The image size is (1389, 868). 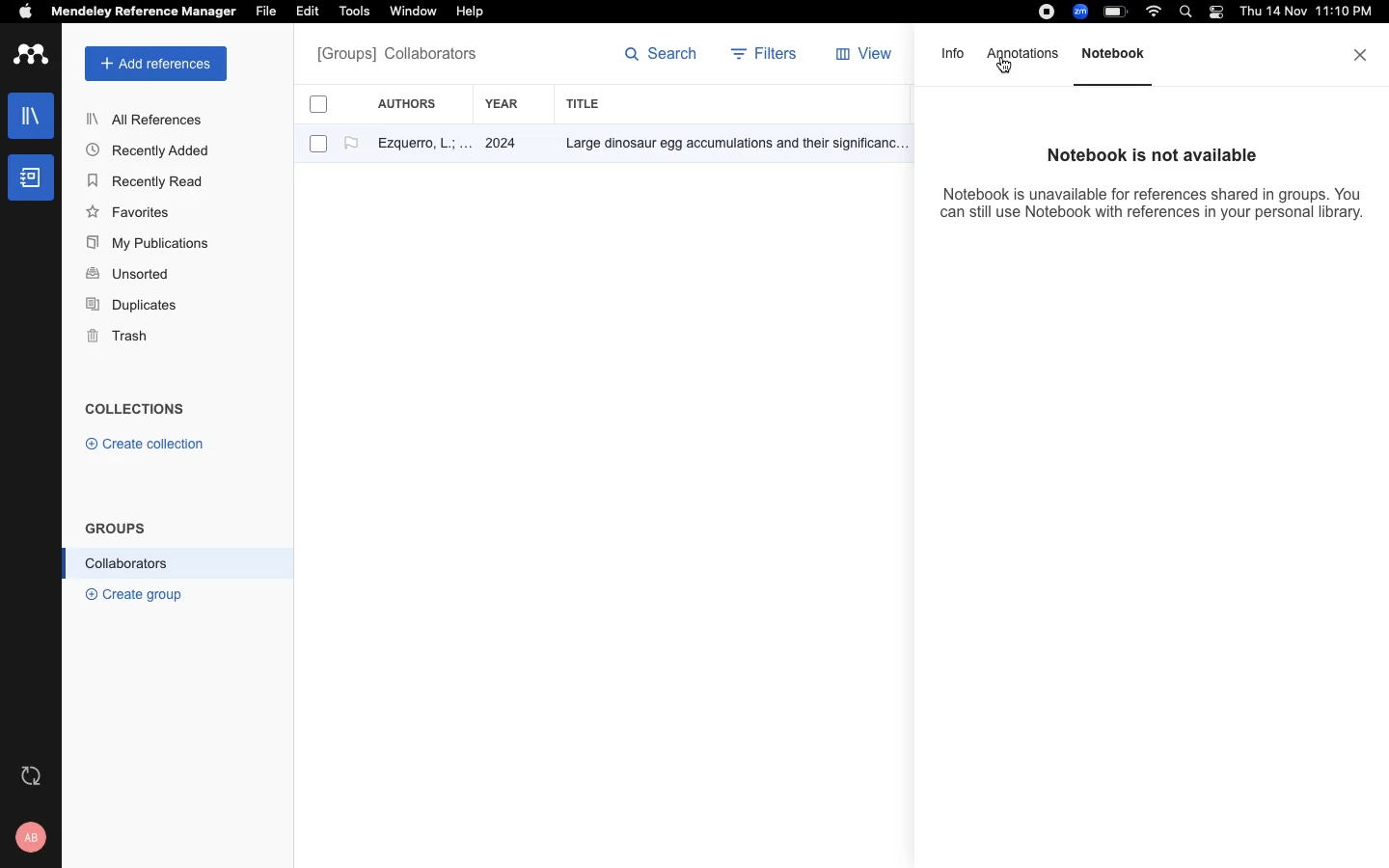 What do you see at coordinates (34, 775) in the screenshot?
I see `refresh` at bounding box center [34, 775].